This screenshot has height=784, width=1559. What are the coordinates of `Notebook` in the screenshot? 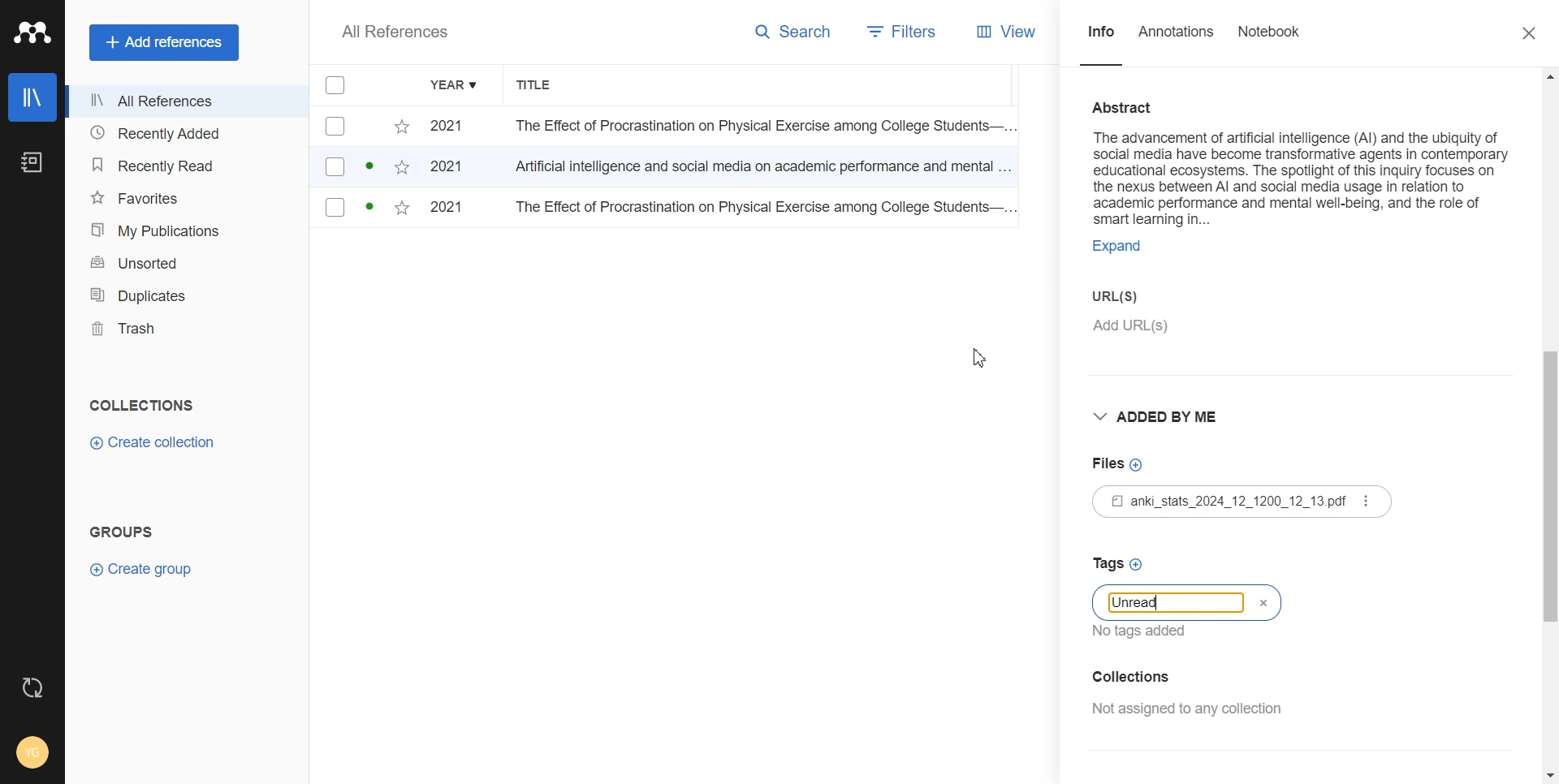 It's located at (1271, 41).